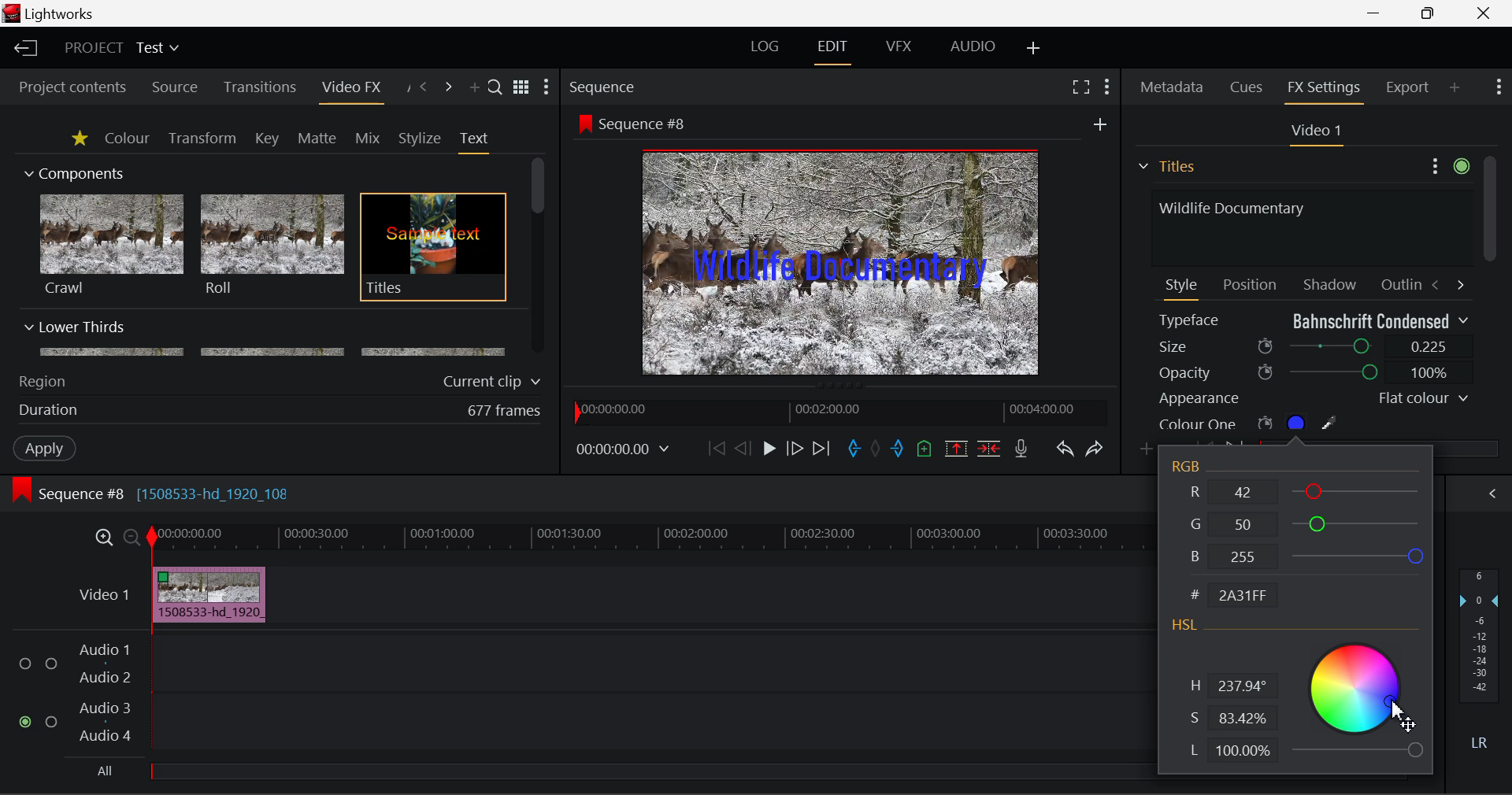 The height and width of the screenshot is (795, 1512). Describe the element at coordinates (1274, 423) in the screenshot. I see `Colour One` at that location.